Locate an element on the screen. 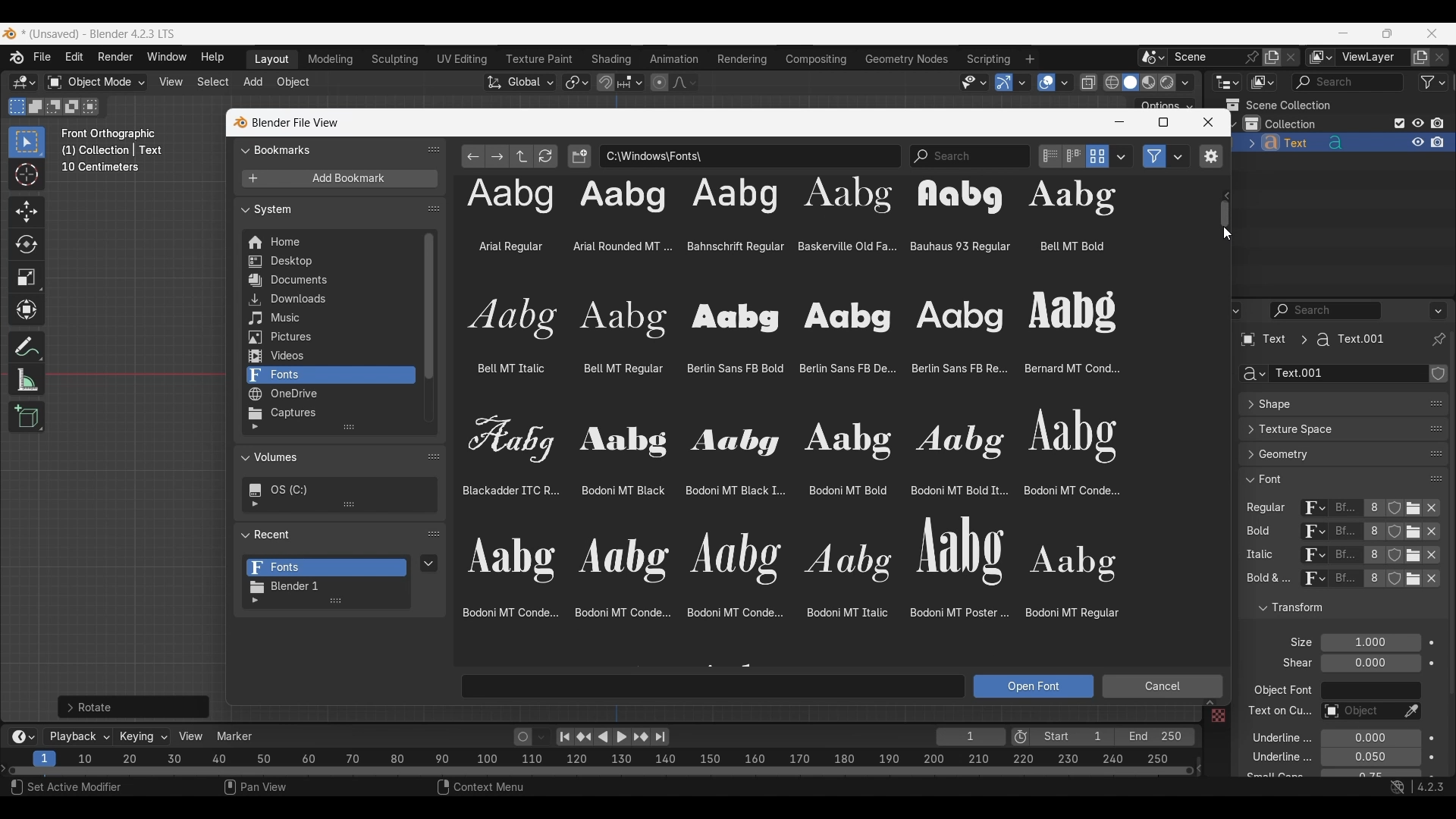  Display mode is located at coordinates (1097, 156).